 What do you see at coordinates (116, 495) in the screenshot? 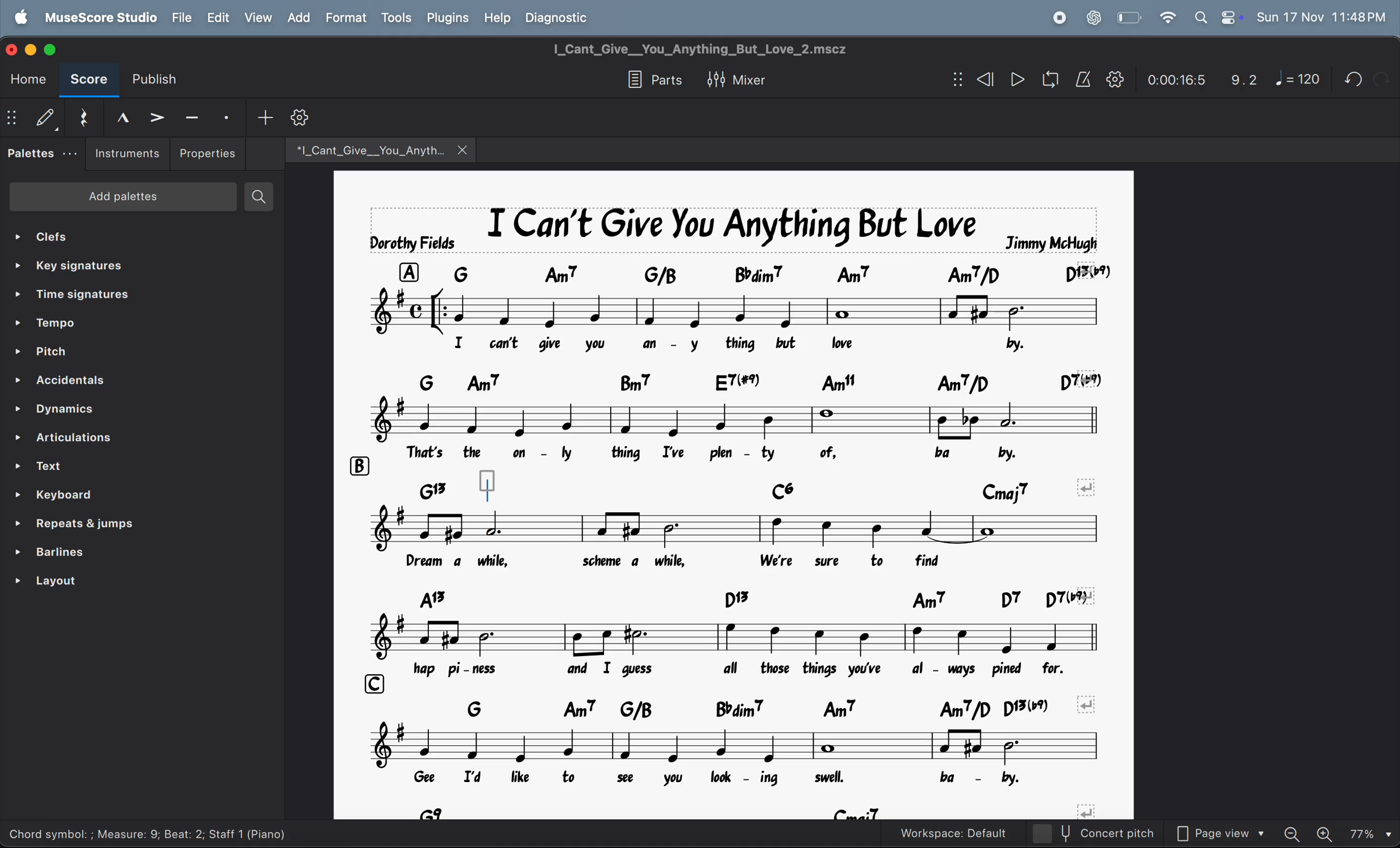
I see `keyboard` at bounding box center [116, 495].